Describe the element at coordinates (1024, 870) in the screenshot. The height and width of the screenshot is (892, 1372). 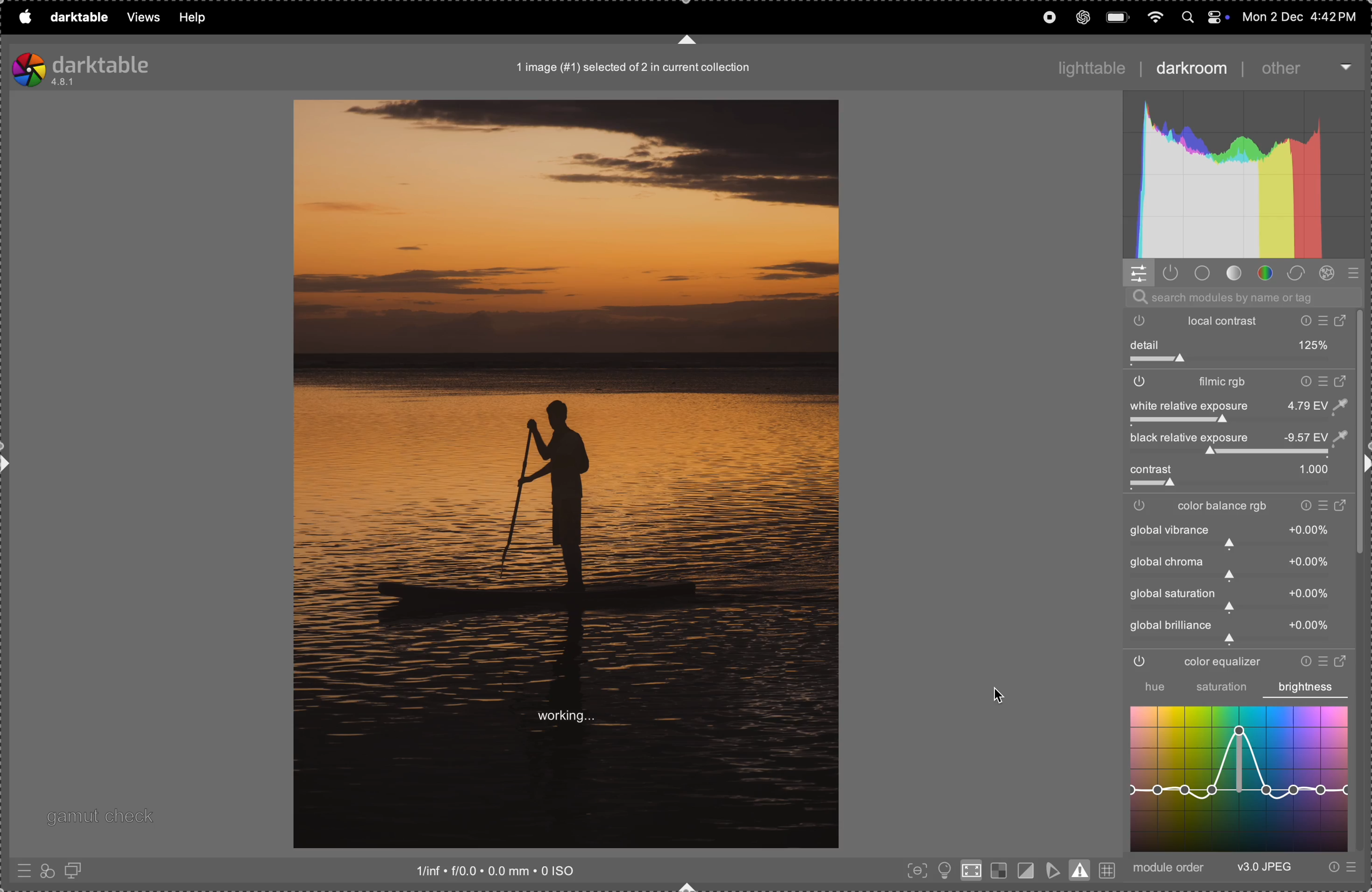
I see `toggle clipping indication` at that location.